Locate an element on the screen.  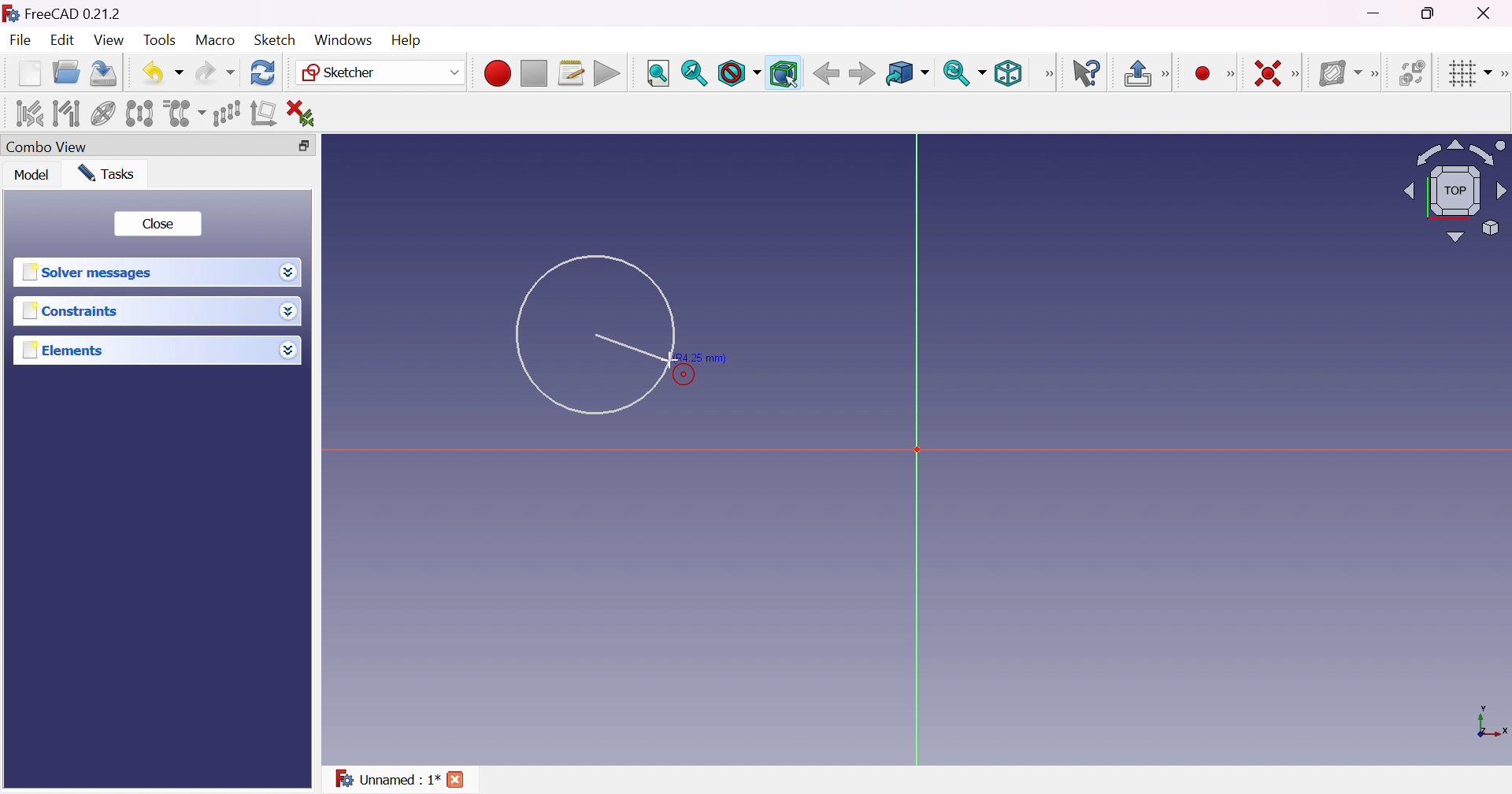
Draw style is located at coordinates (740, 74).